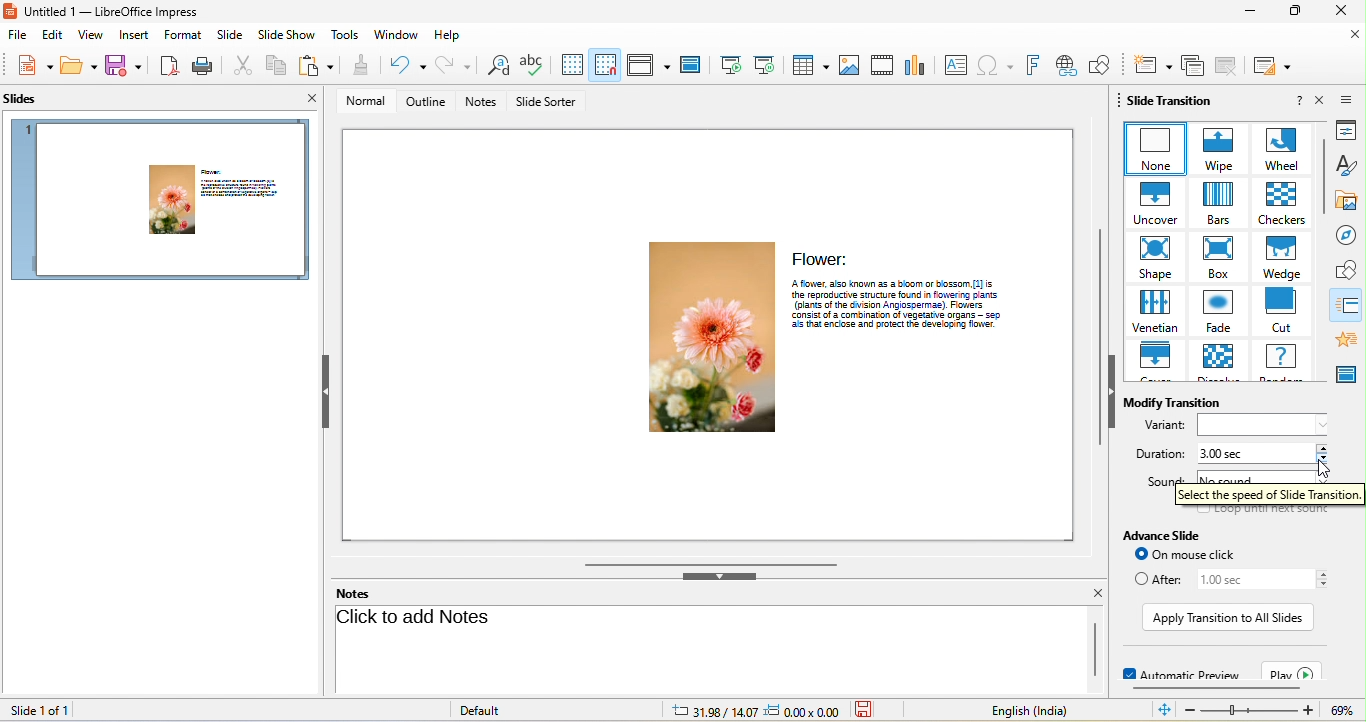  What do you see at coordinates (397, 36) in the screenshot?
I see `window` at bounding box center [397, 36].